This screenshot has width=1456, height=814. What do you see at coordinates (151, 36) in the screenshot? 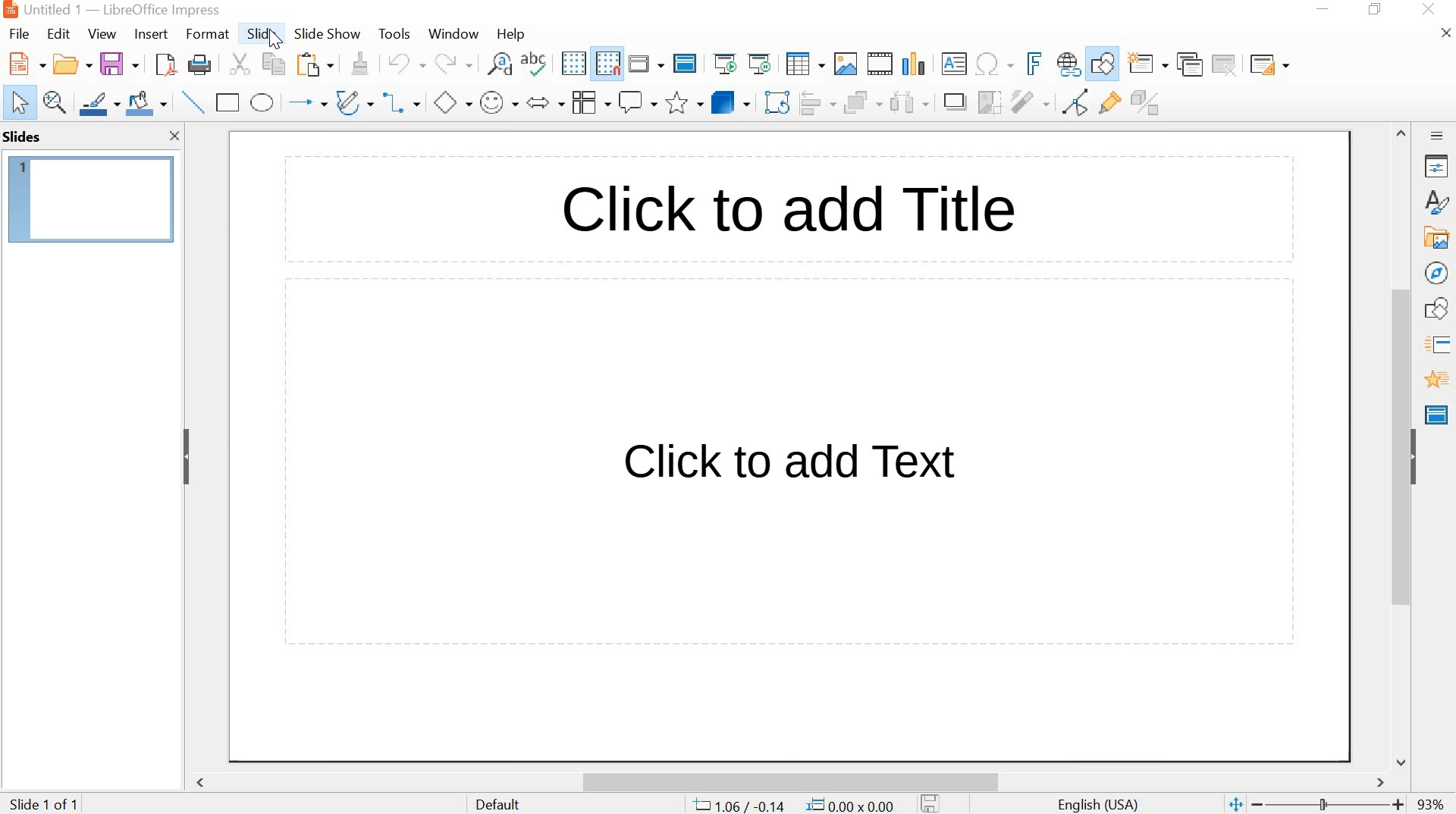
I see `INSERT` at bounding box center [151, 36].